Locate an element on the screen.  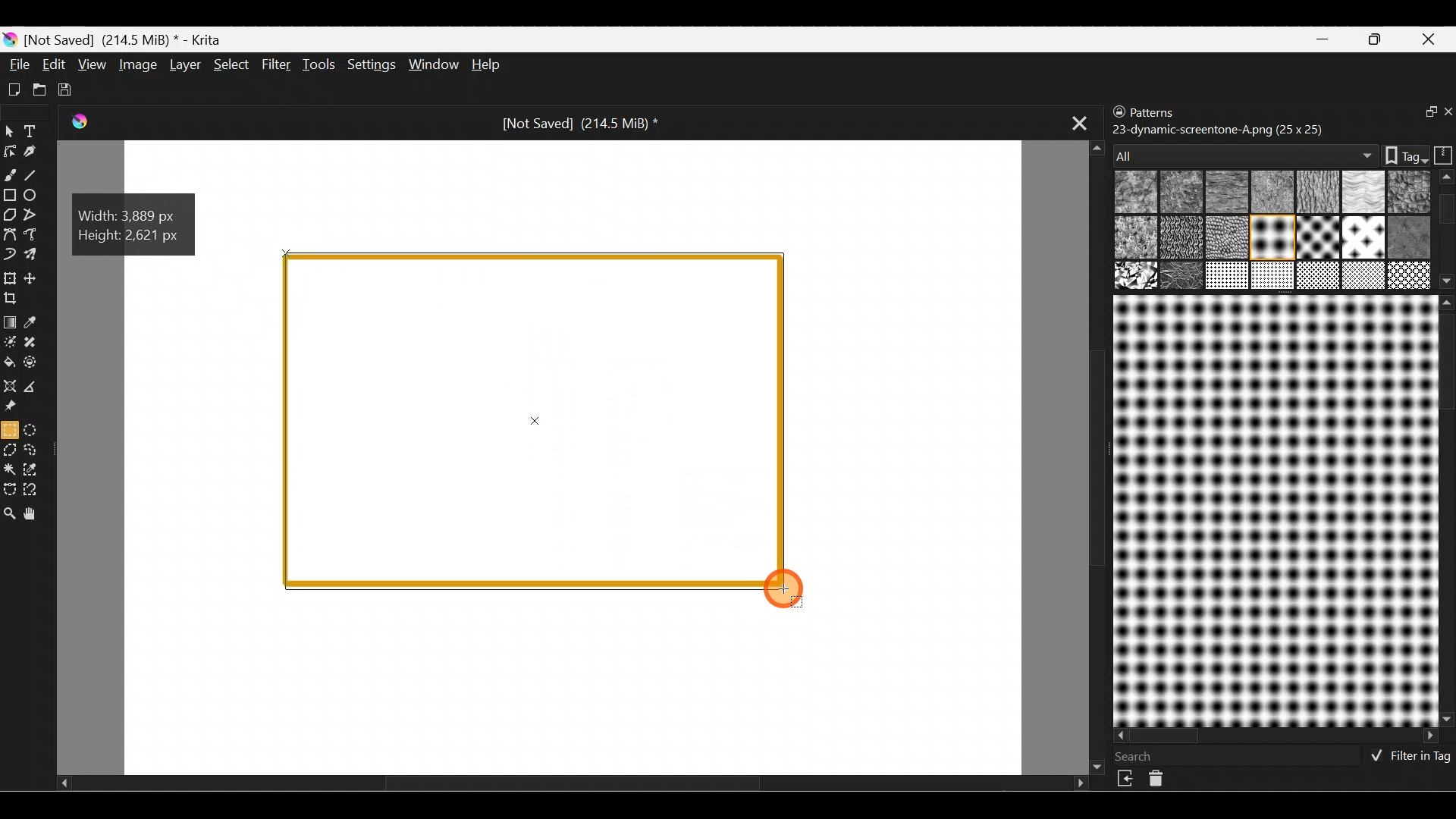
Create new document is located at coordinates (14, 90).